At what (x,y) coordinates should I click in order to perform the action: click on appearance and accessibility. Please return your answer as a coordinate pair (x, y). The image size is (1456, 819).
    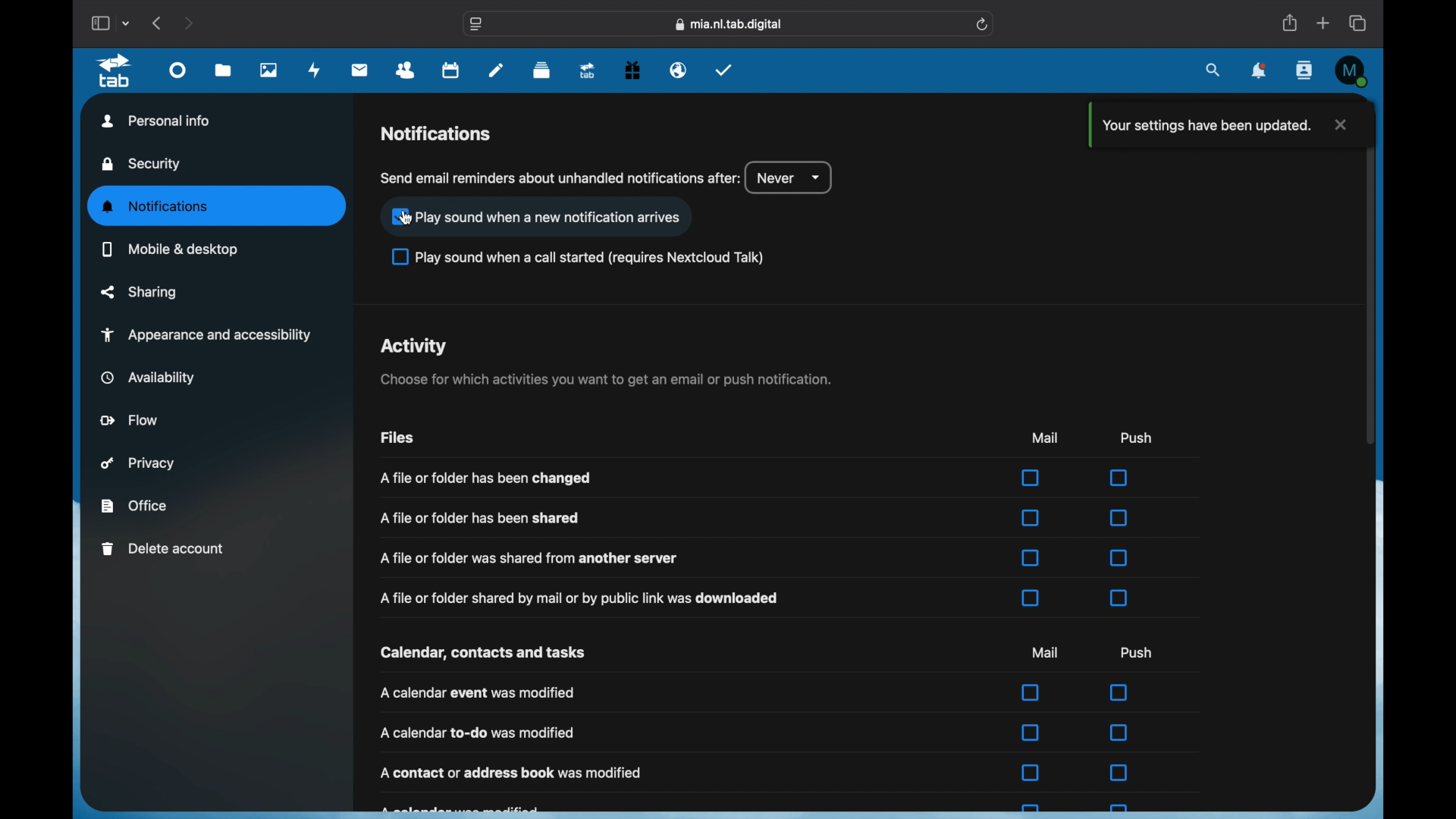
    Looking at the image, I should click on (206, 335).